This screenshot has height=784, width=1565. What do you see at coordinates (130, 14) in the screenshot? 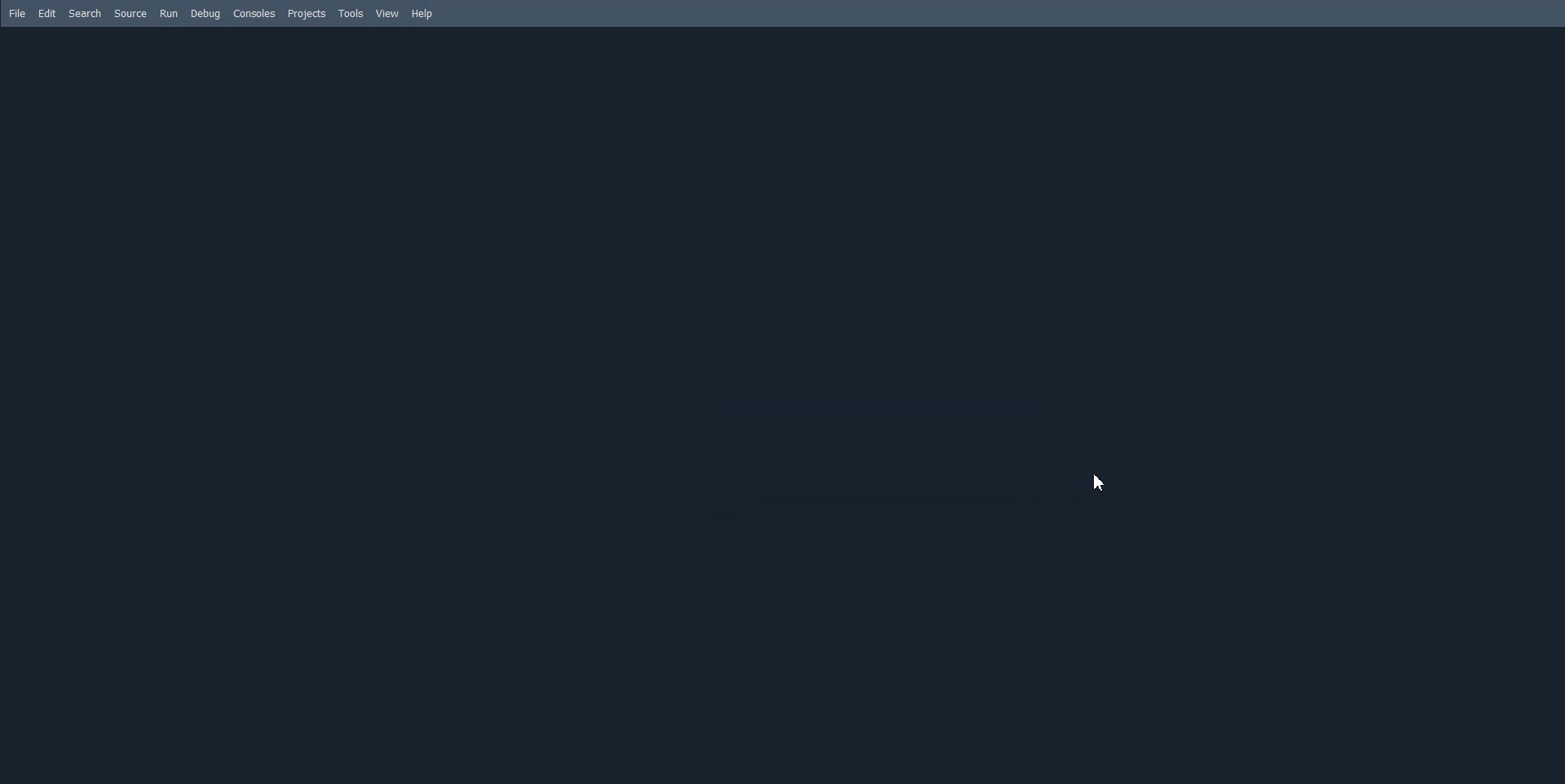
I see `Source` at bounding box center [130, 14].